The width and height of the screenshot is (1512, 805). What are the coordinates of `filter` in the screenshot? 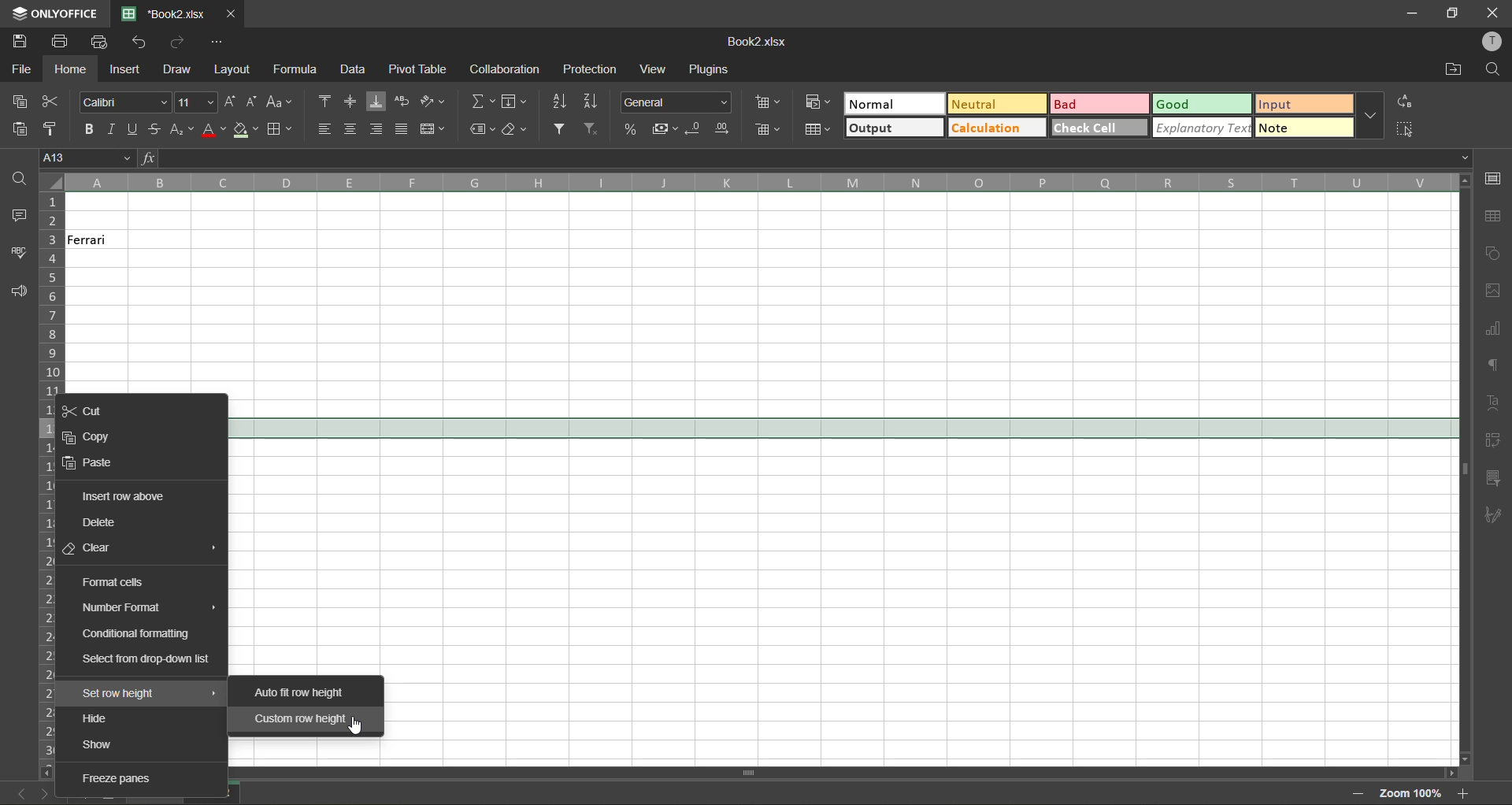 It's located at (563, 129).